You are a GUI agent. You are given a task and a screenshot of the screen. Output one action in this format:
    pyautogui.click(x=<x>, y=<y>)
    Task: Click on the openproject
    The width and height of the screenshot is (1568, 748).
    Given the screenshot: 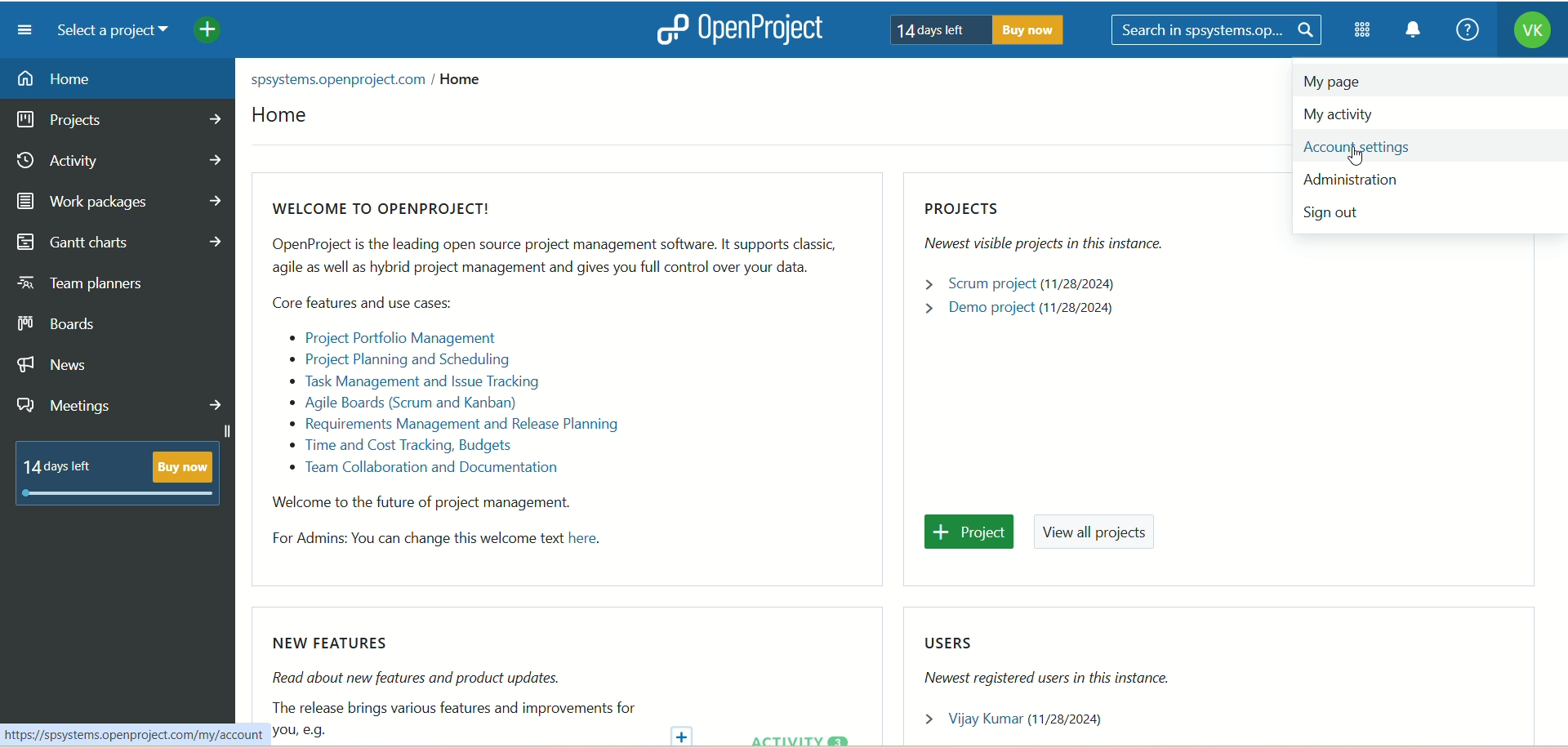 What is the action you would take?
    pyautogui.click(x=736, y=29)
    